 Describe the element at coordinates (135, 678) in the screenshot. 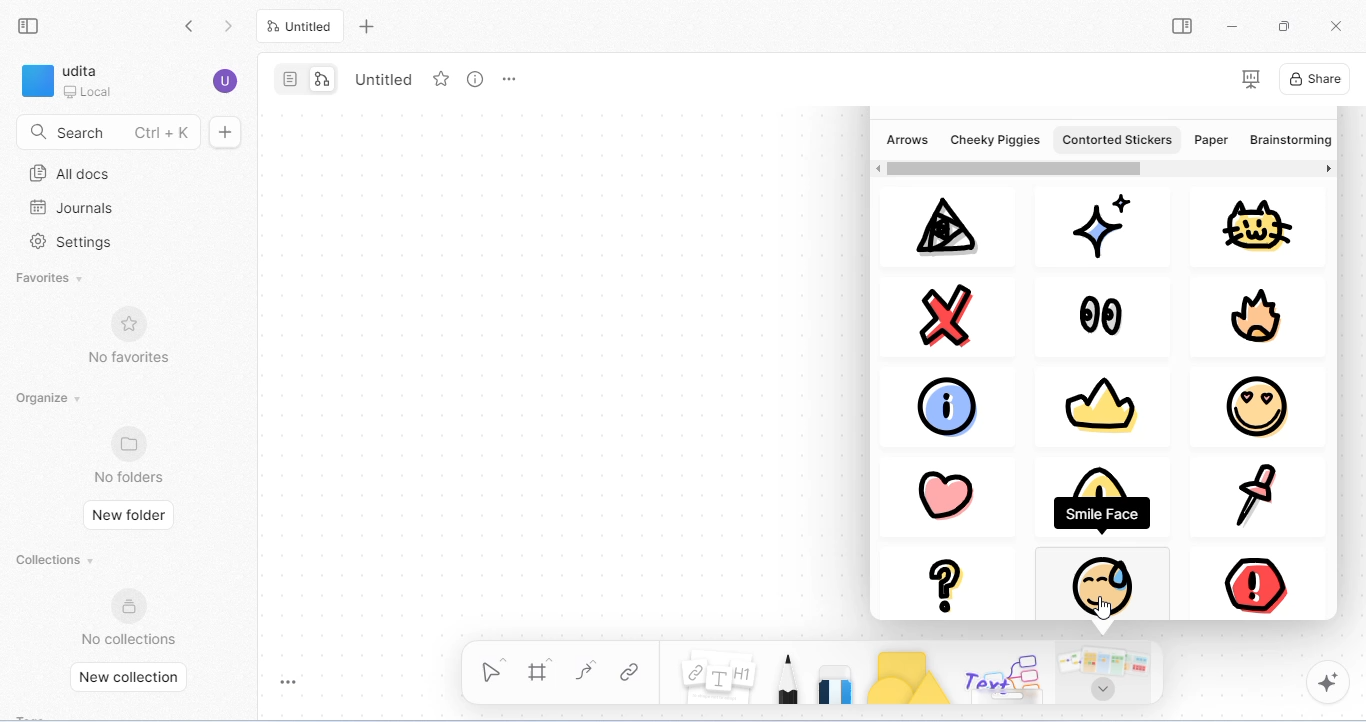

I see `new collection` at that location.